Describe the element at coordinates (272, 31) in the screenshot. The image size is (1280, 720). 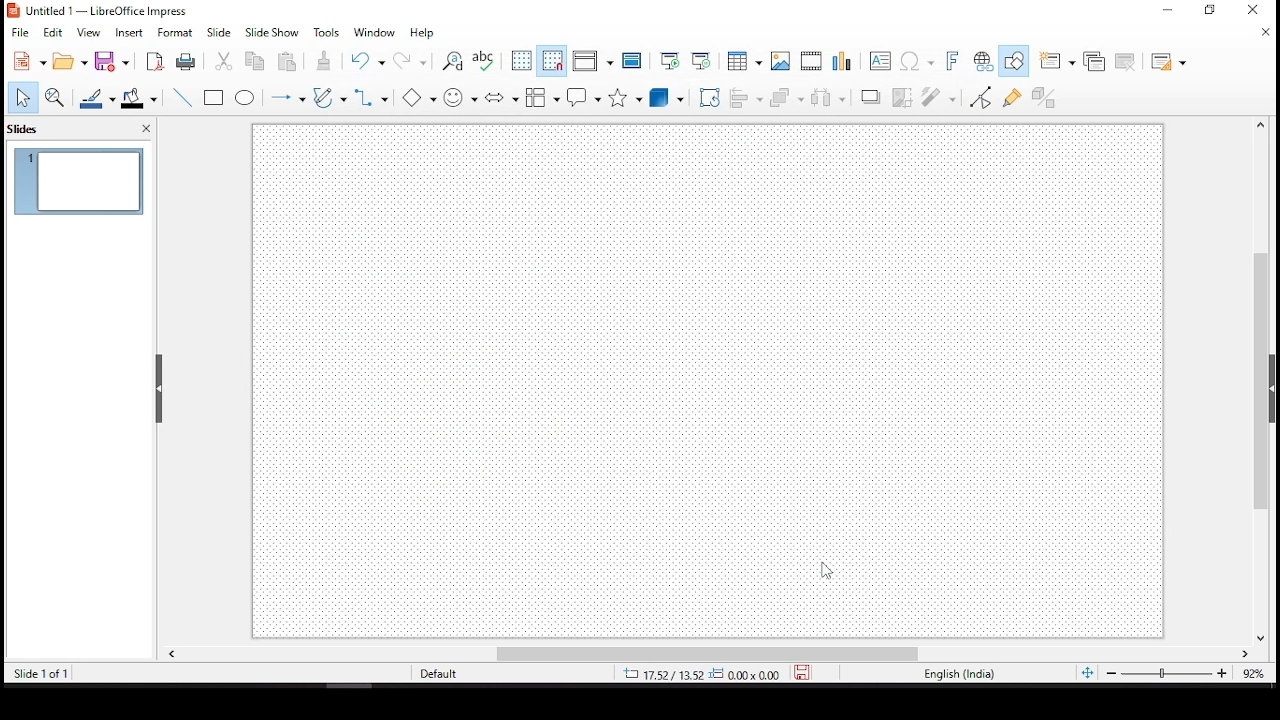
I see `slide show` at that location.